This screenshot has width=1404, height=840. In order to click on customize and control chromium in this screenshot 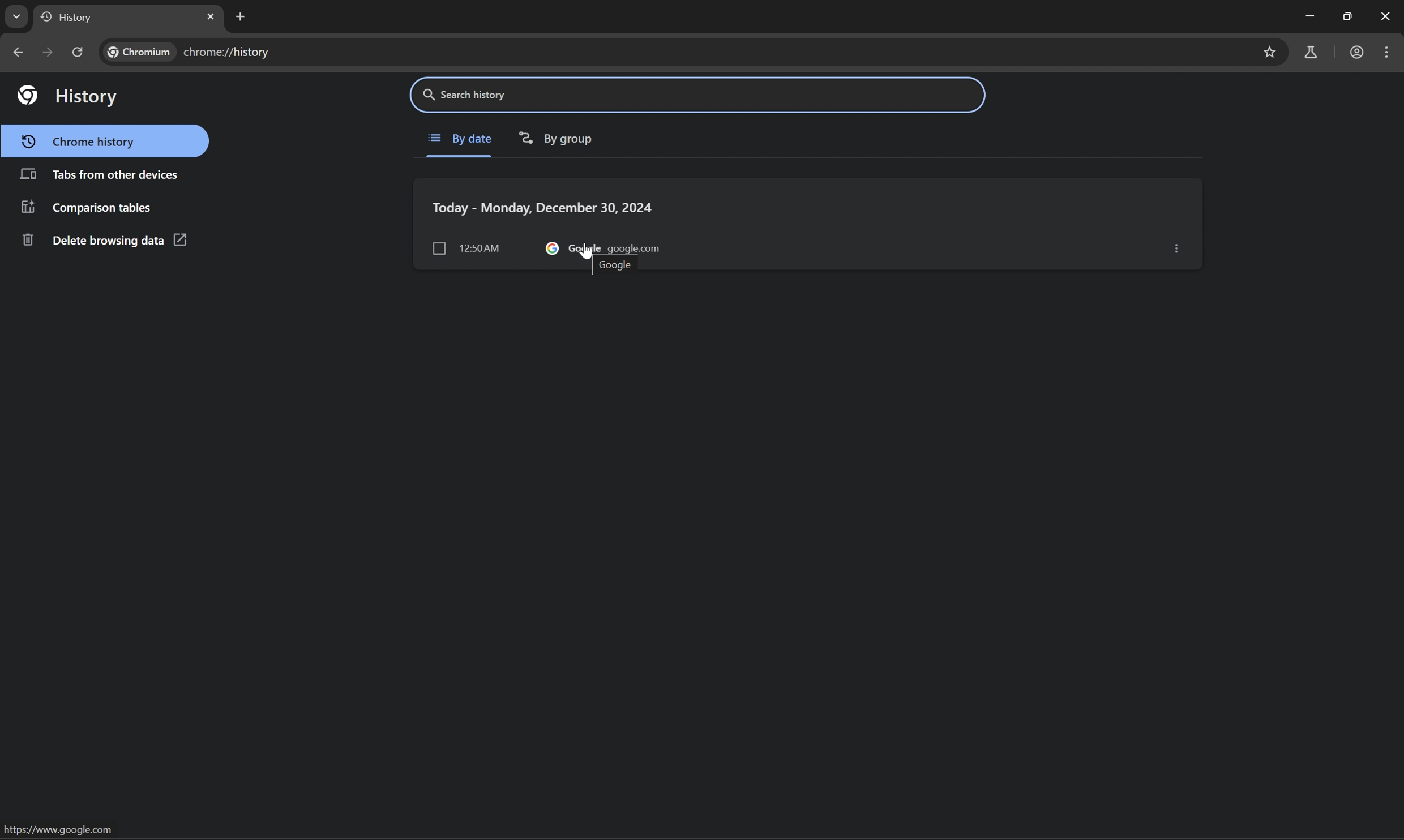, I will do `click(1388, 50)`.